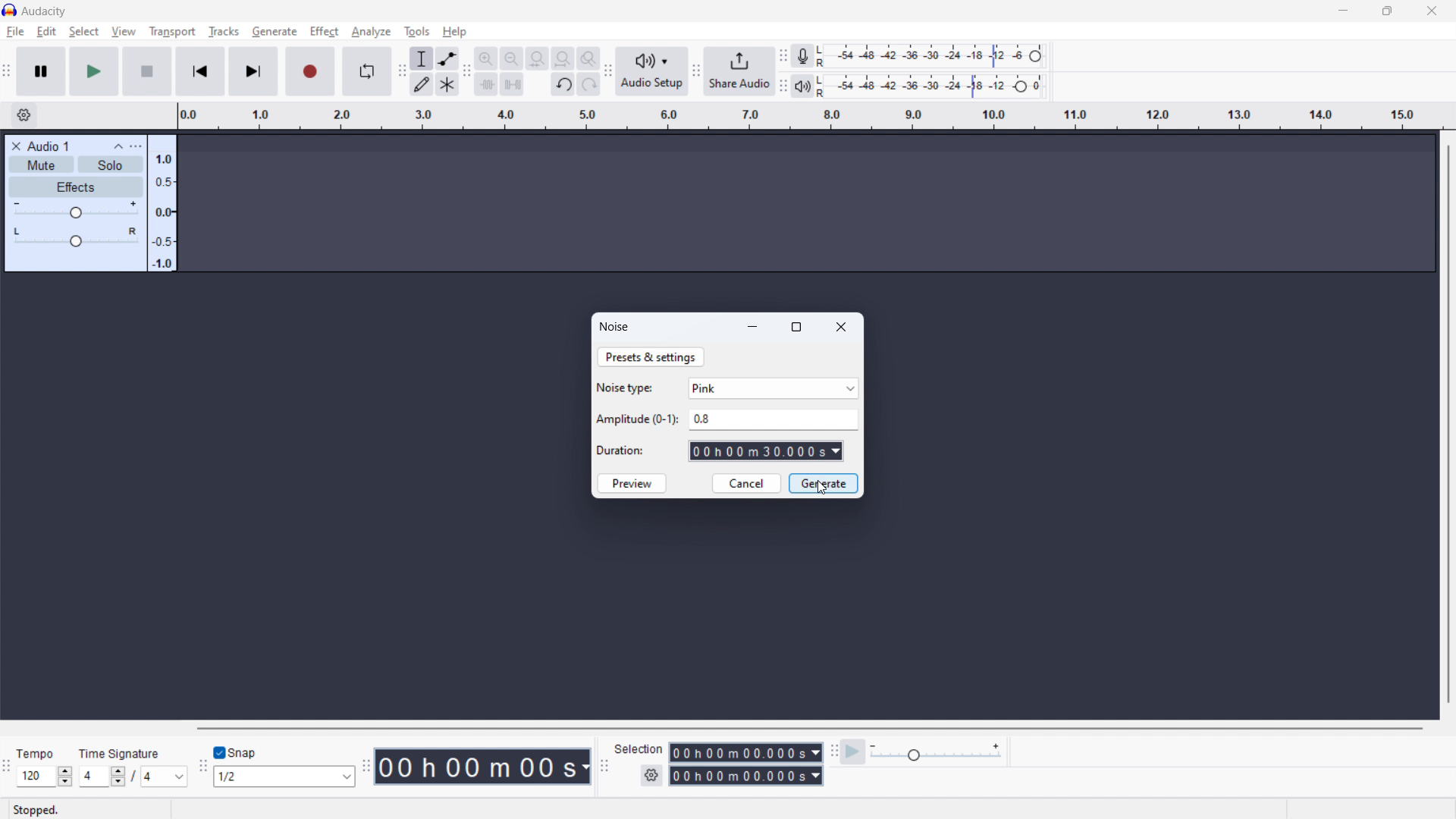 Image resolution: width=1456 pixels, height=819 pixels. Describe the element at coordinates (537, 58) in the screenshot. I see `fit selection to width` at that location.